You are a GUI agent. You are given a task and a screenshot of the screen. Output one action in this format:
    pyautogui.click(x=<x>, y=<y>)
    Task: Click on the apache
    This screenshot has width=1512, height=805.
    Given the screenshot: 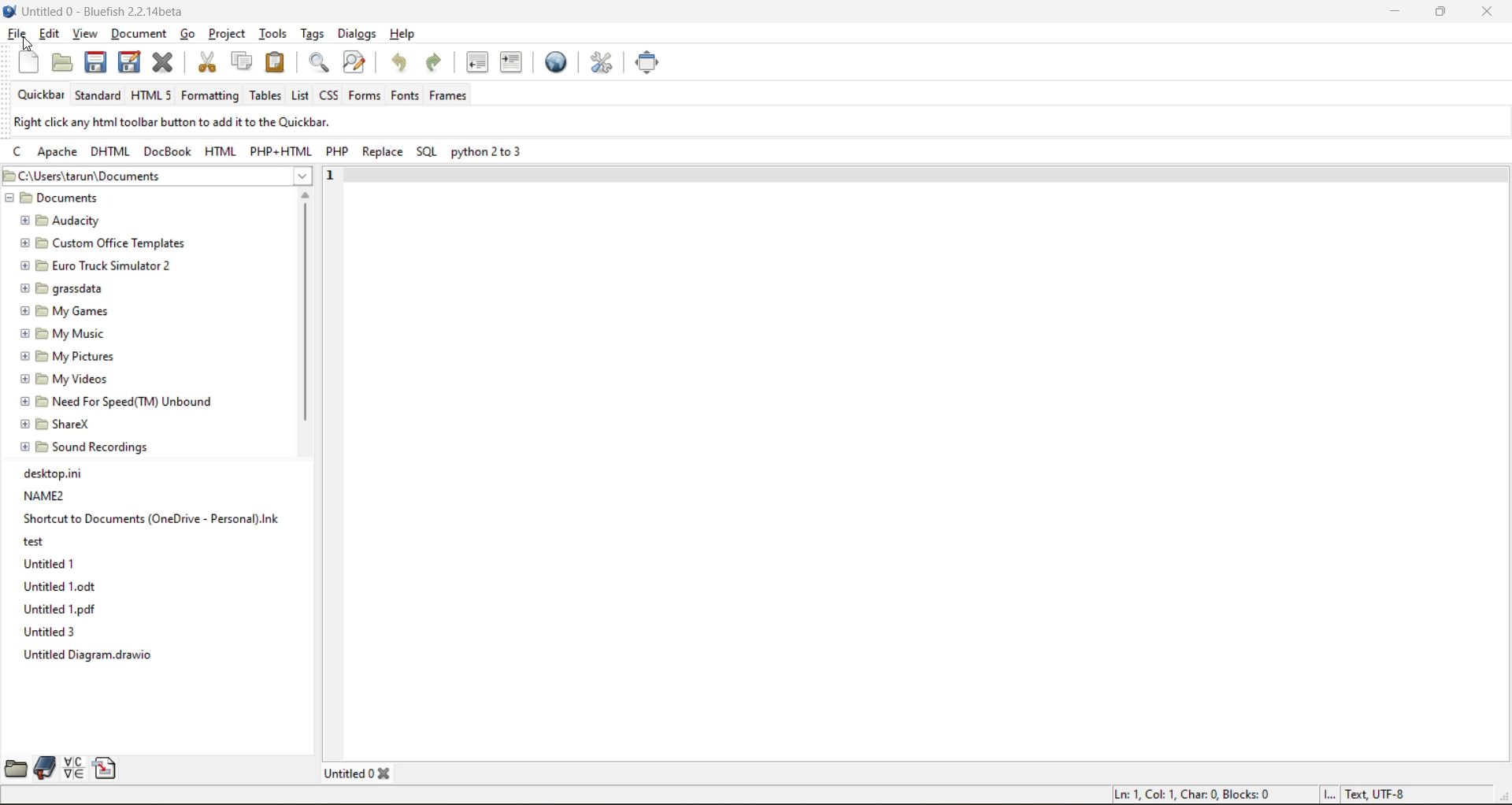 What is the action you would take?
    pyautogui.click(x=61, y=153)
    